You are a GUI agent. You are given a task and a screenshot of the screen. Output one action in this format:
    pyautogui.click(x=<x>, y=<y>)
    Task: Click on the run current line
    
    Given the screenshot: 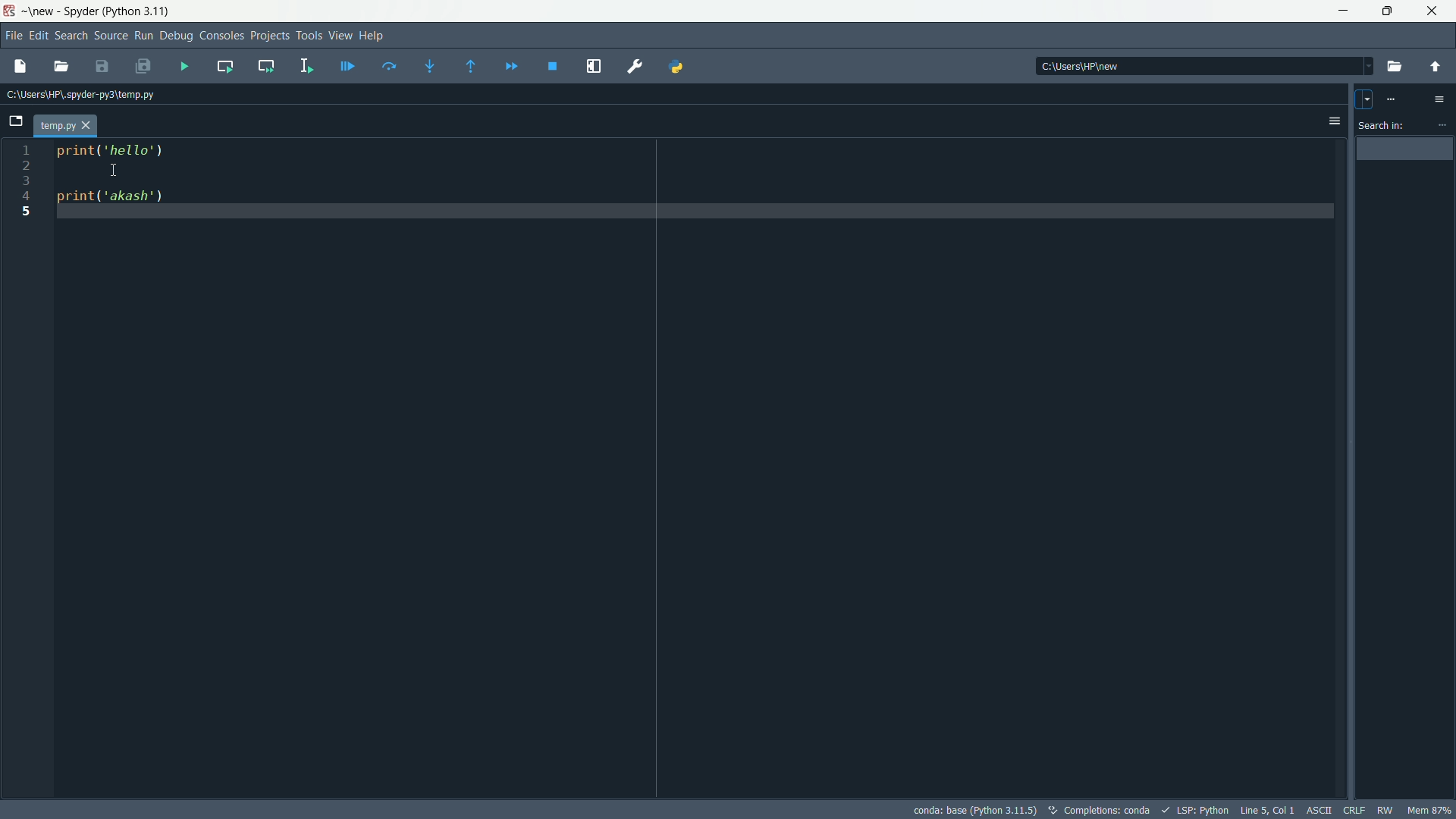 What is the action you would take?
    pyautogui.click(x=389, y=67)
    